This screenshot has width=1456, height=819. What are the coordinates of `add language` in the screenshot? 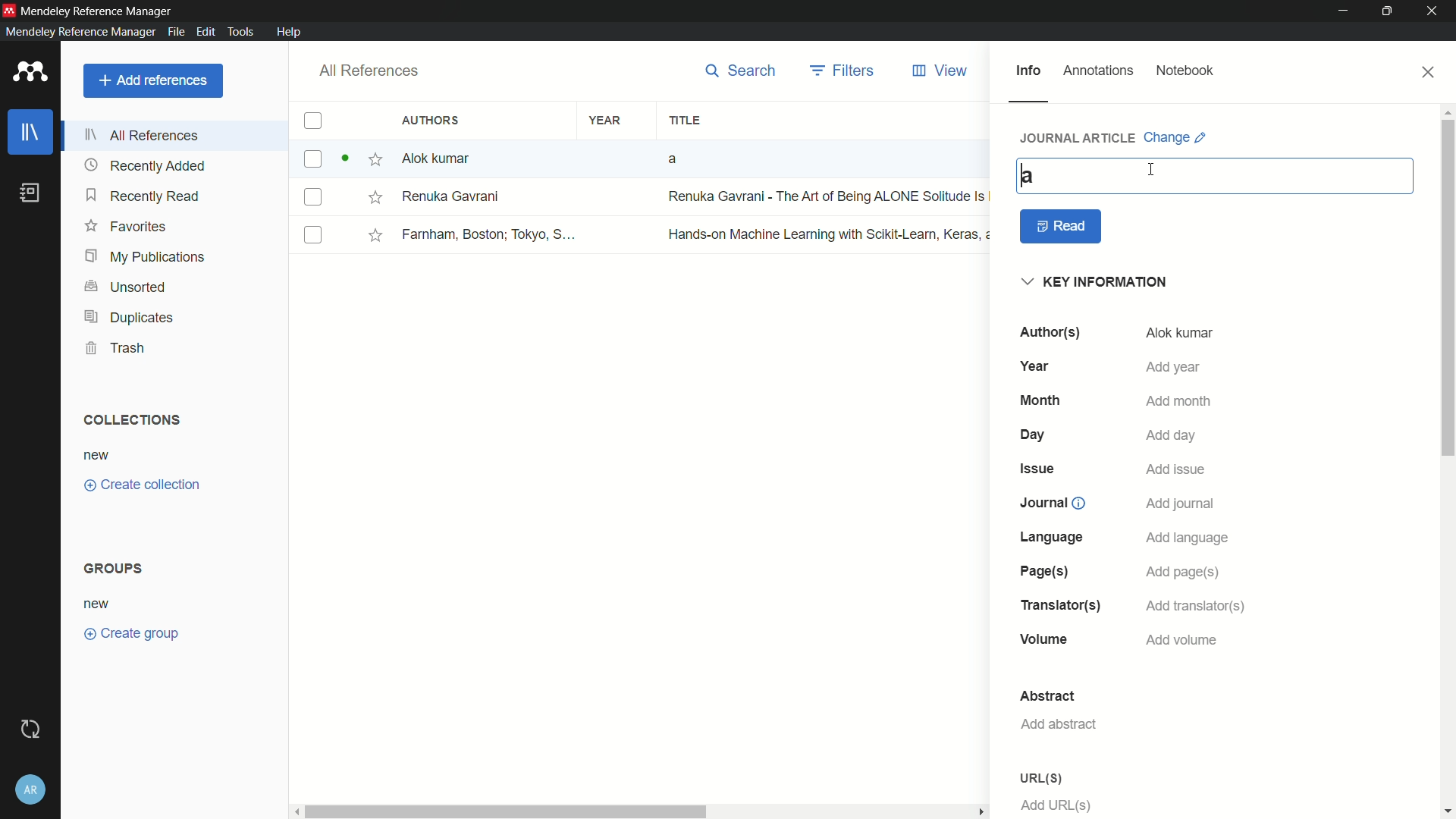 It's located at (1188, 538).